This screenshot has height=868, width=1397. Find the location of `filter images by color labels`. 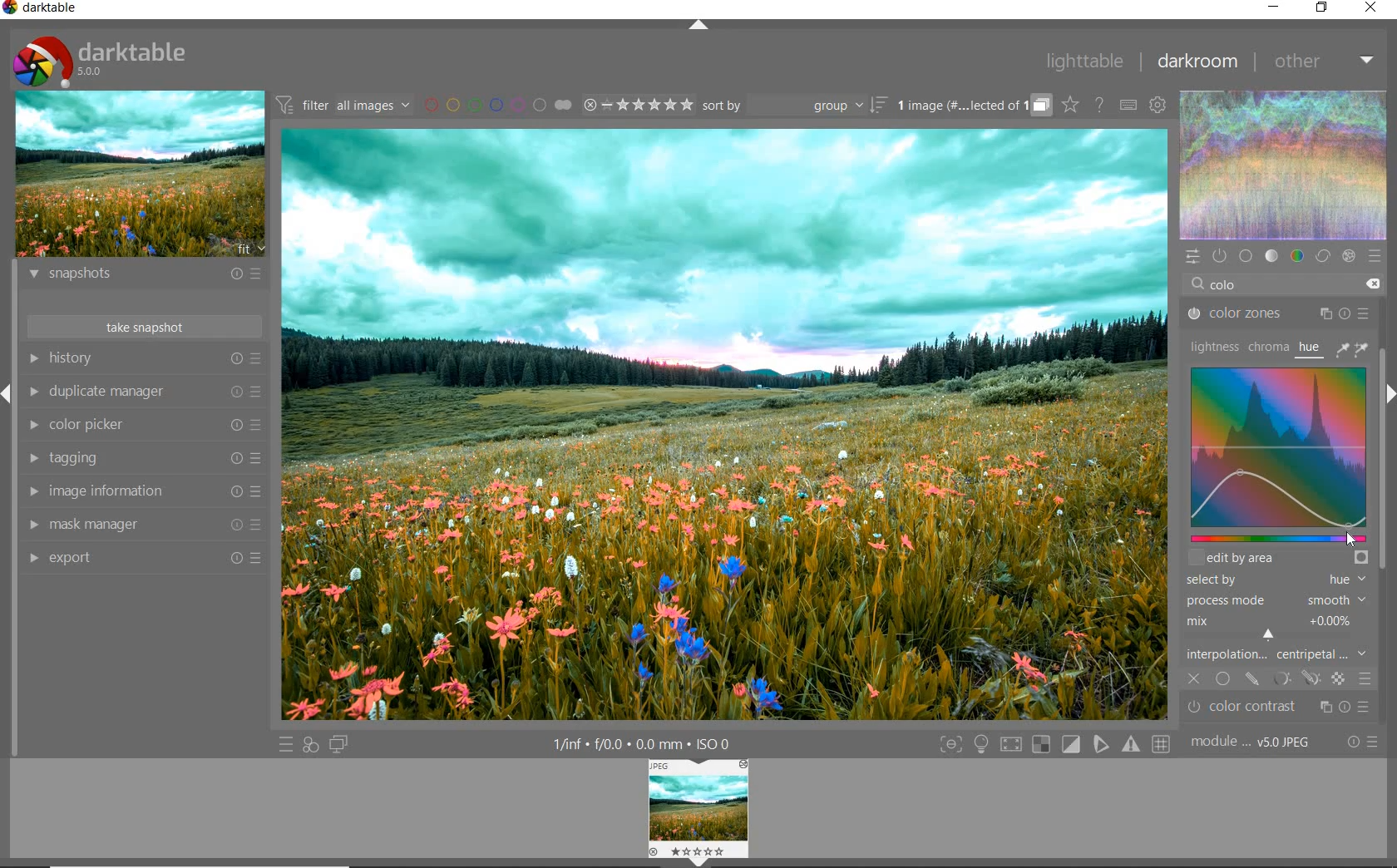

filter images by color labels is located at coordinates (496, 105).